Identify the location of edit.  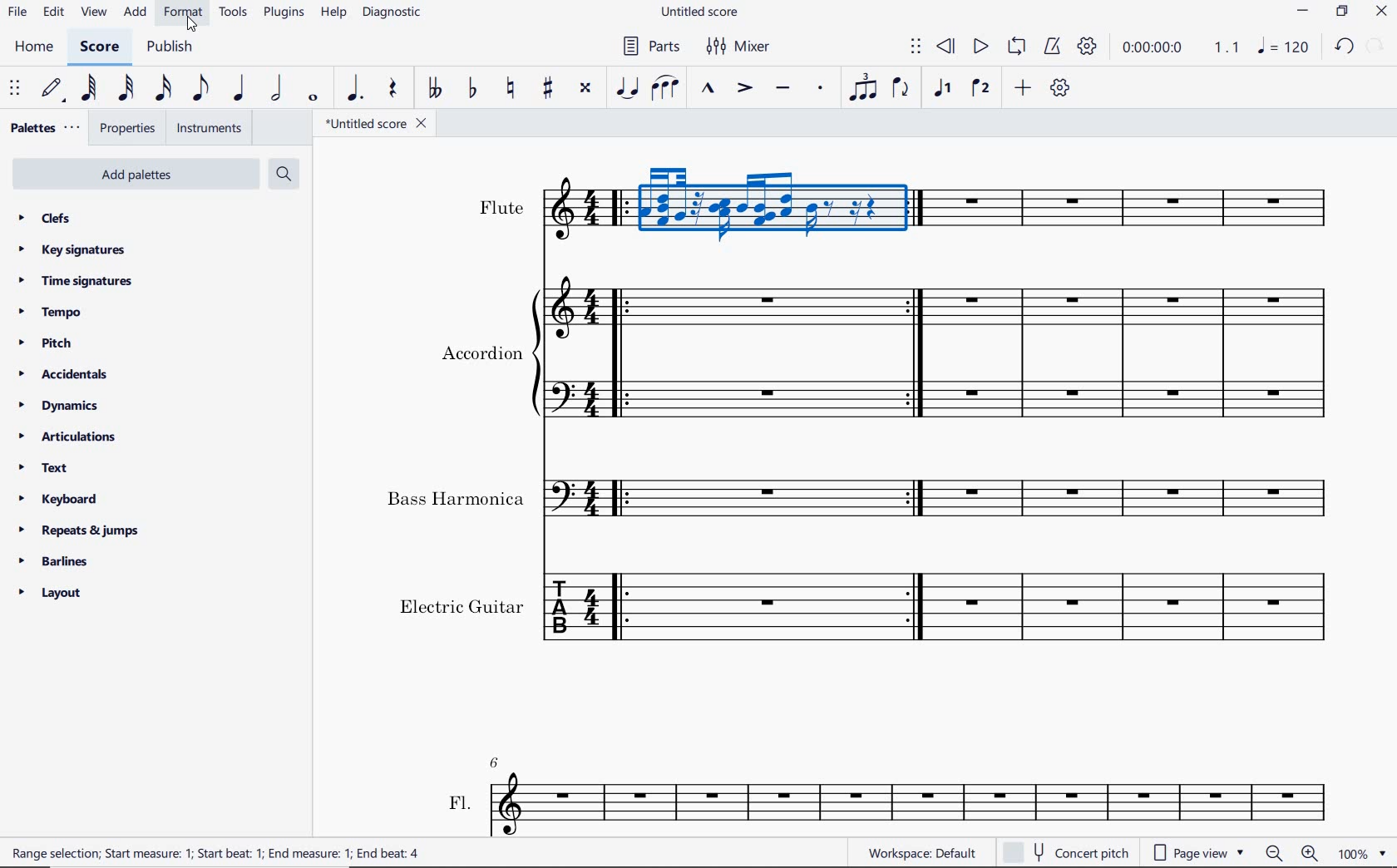
(52, 12).